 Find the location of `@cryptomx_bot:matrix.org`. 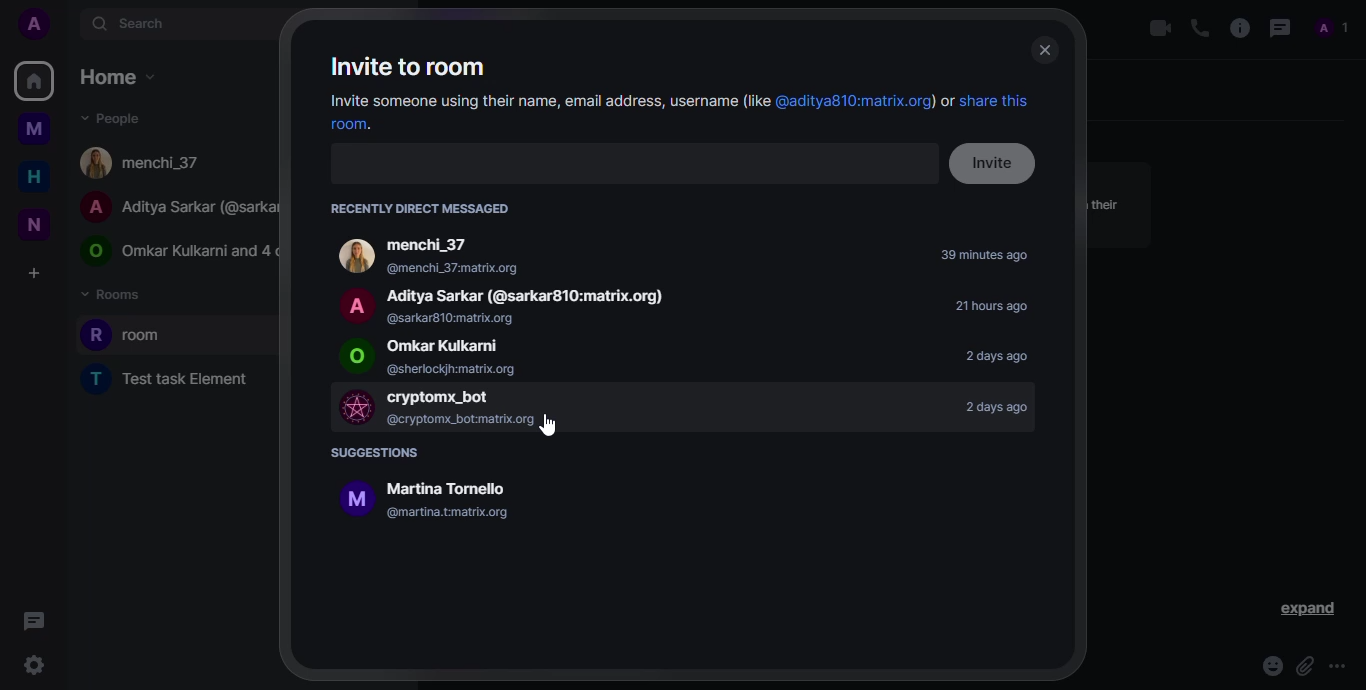

@cryptomx_bot:matrix.org is located at coordinates (475, 418).